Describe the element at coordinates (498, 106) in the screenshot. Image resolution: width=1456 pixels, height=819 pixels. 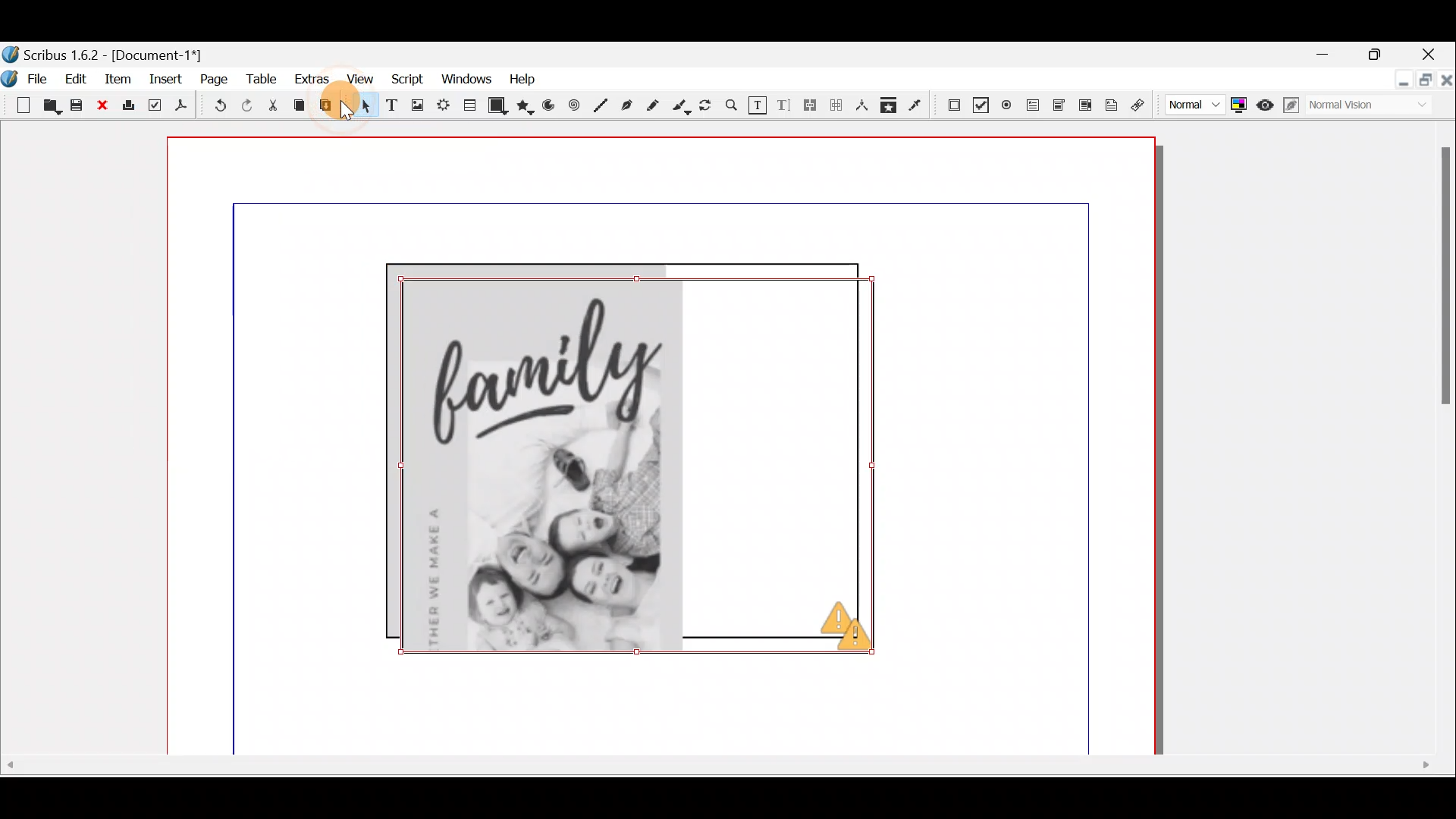
I see `Shape` at that location.